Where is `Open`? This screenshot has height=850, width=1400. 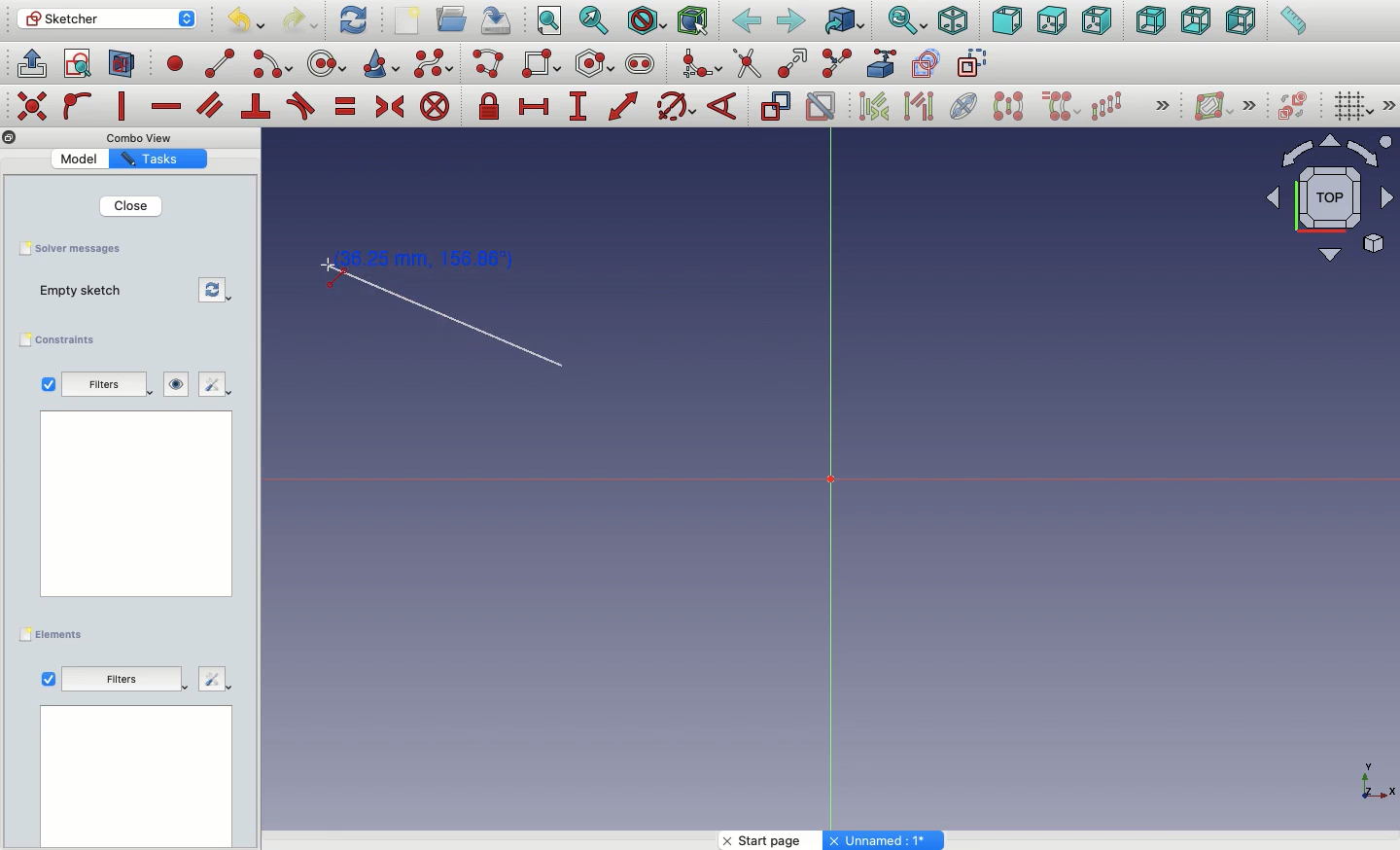
Open is located at coordinates (454, 18).